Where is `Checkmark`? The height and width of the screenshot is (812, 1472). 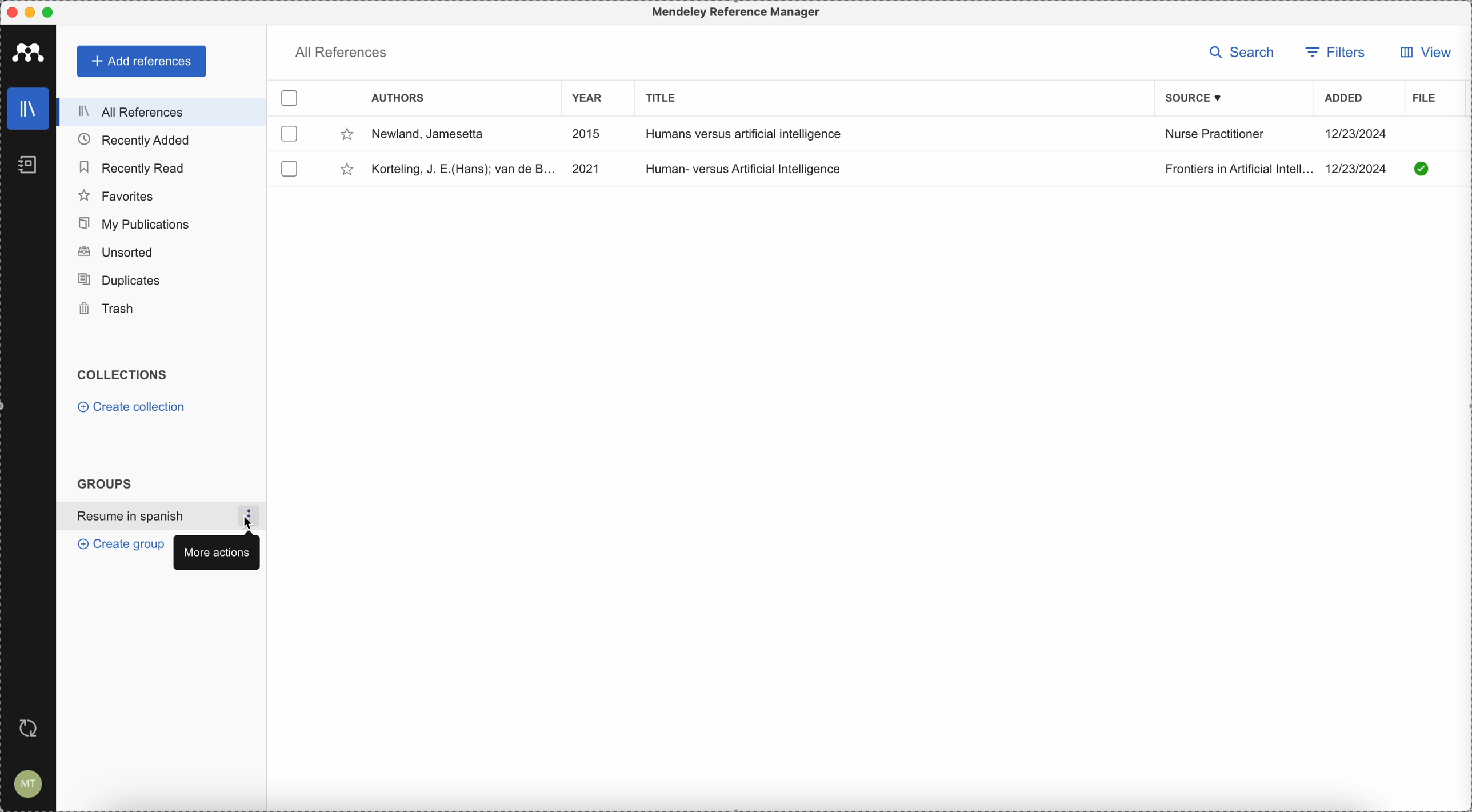 Checkmark is located at coordinates (1422, 168).